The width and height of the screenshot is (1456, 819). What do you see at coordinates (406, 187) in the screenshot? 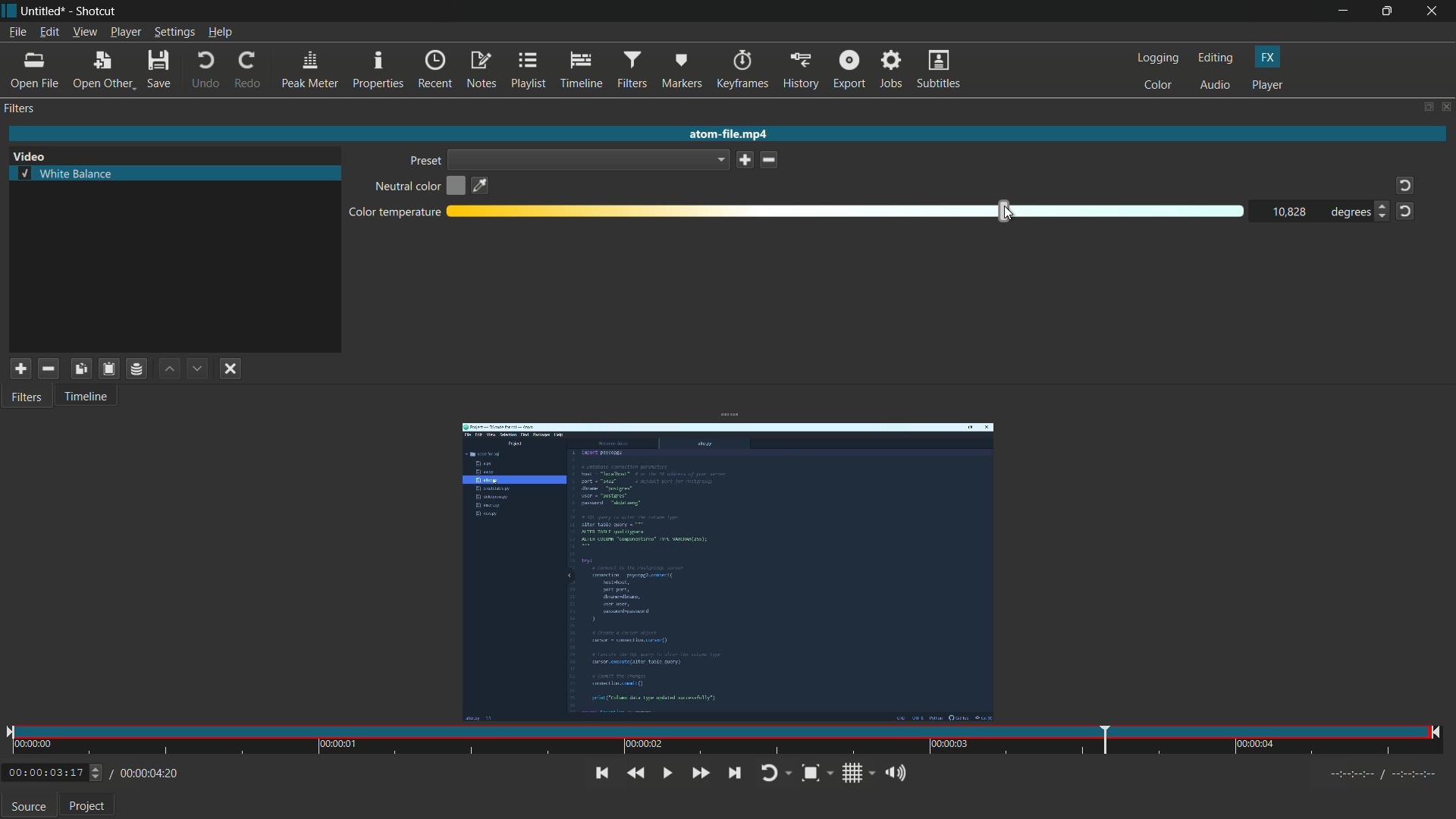
I see `neutral color` at bounding box center [406, 187].